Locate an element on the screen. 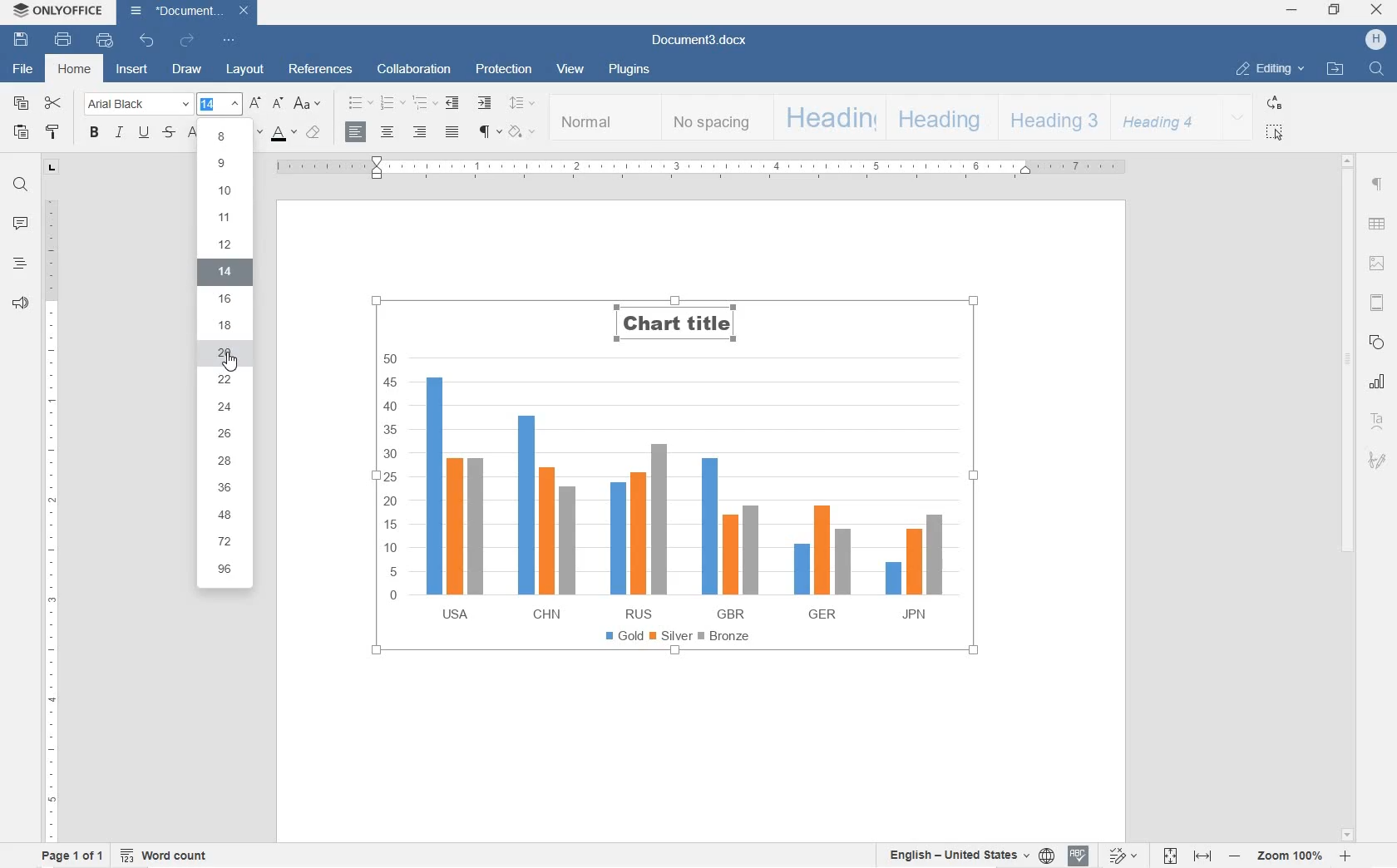 The height and width of the screenshot is (868, 1397). 10 is located at coordinates (223, 191).